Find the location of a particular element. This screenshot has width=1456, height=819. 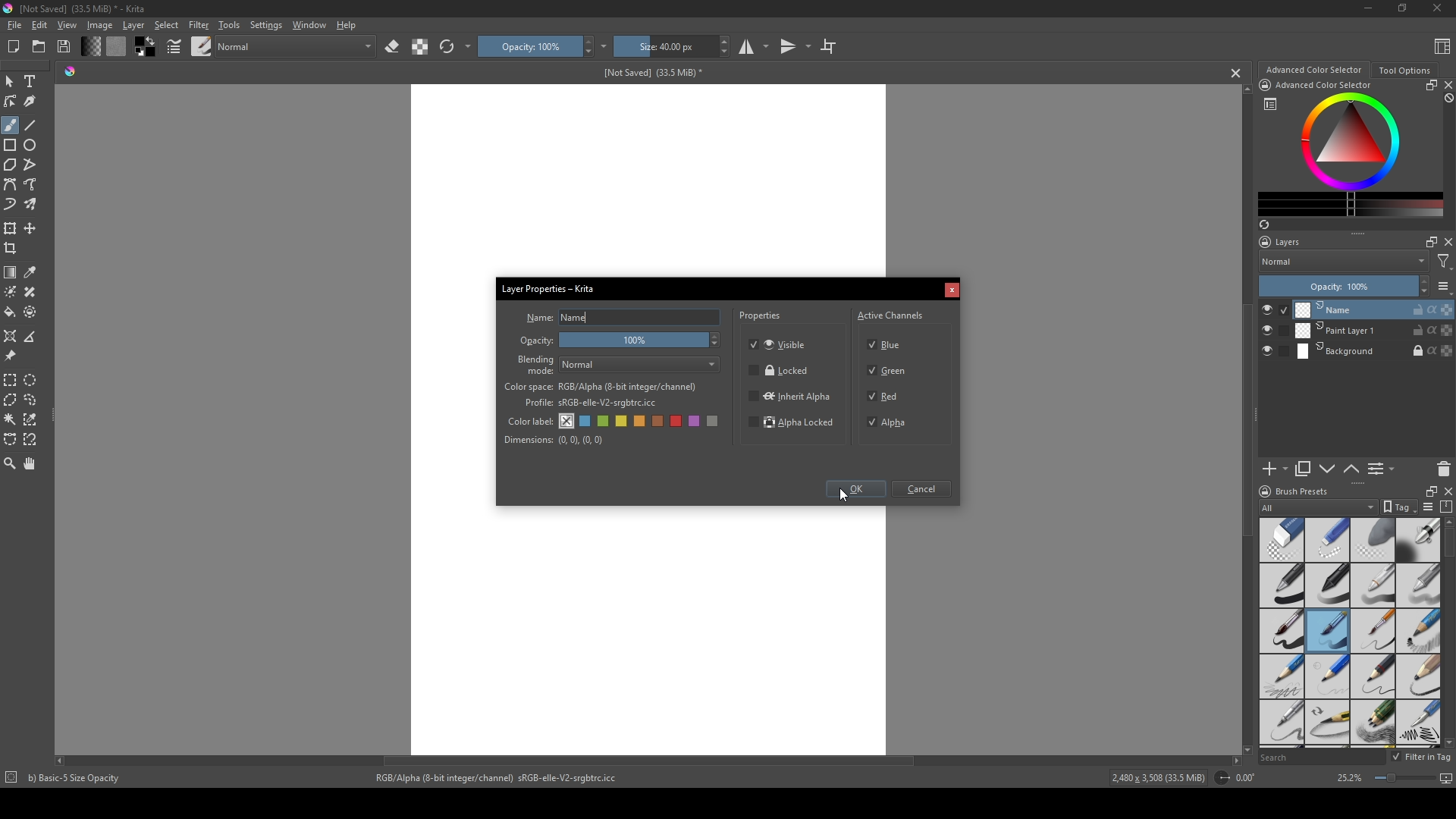

Active channels is located at coordinates (891, 313).